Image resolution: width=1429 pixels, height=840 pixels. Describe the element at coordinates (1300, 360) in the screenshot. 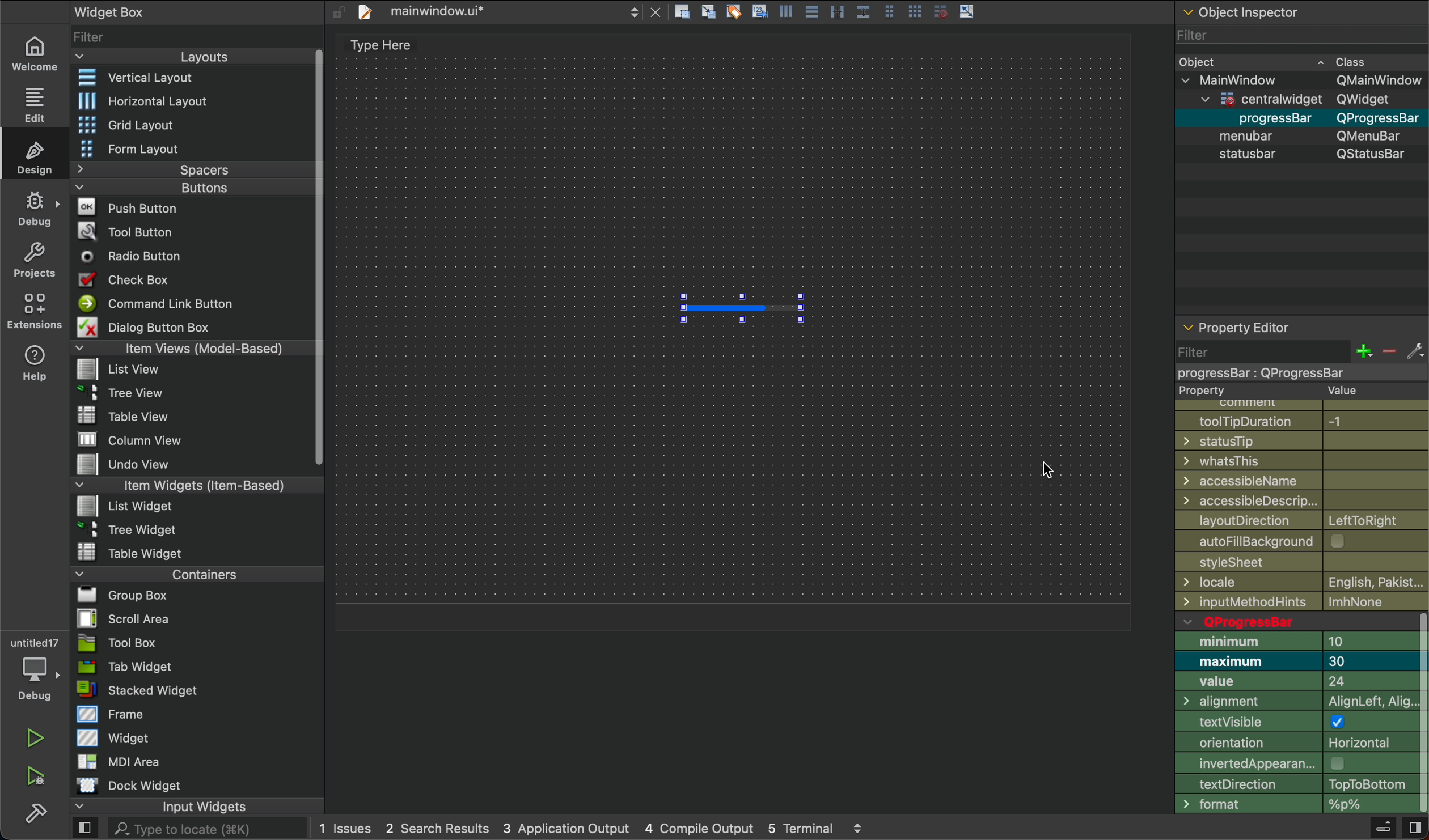

I see `filter` at that location.